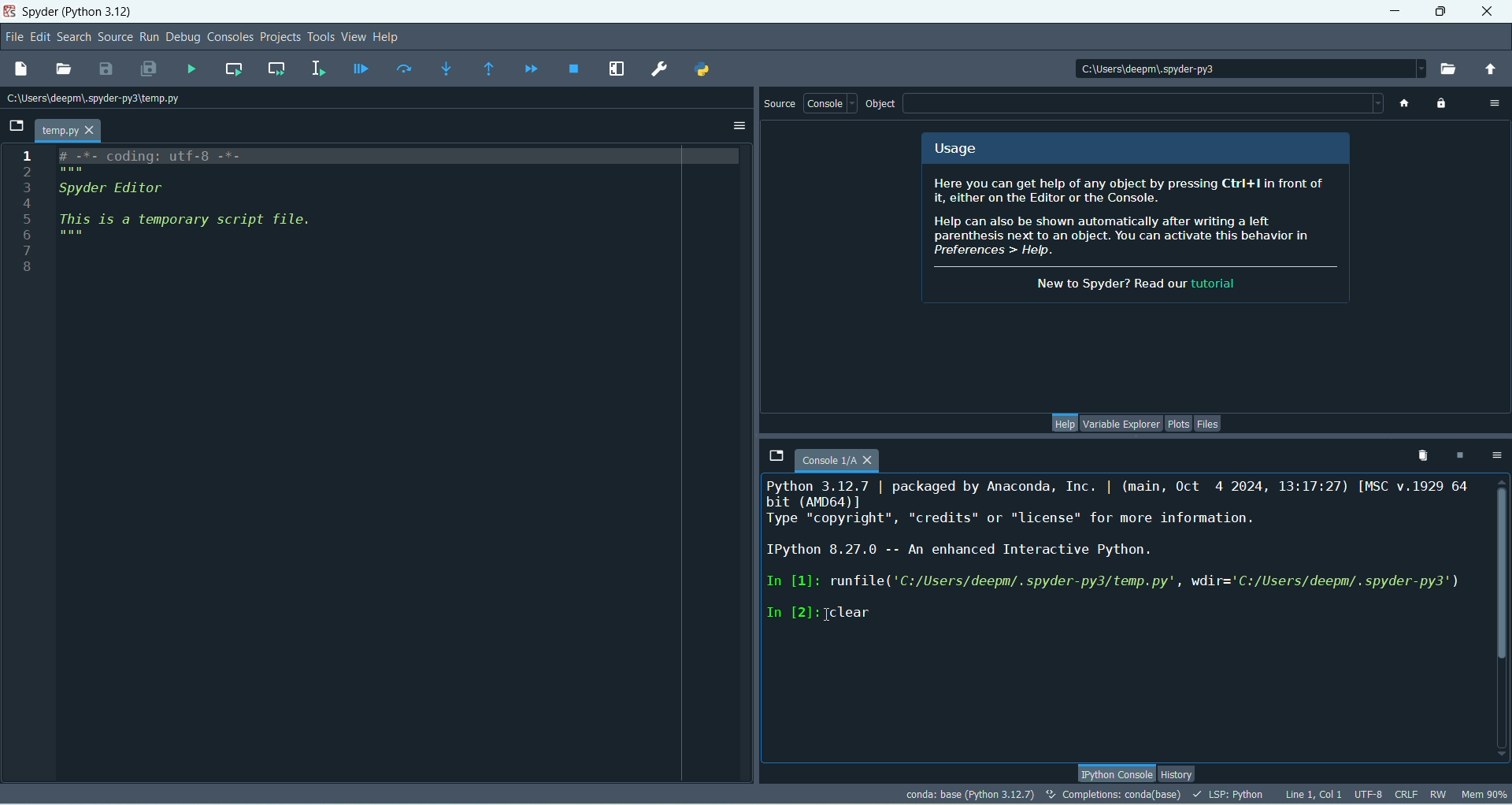 Image resolution: width=1512 pixels, height=805 pixels. I want to click on cursor, so click(824, 614).